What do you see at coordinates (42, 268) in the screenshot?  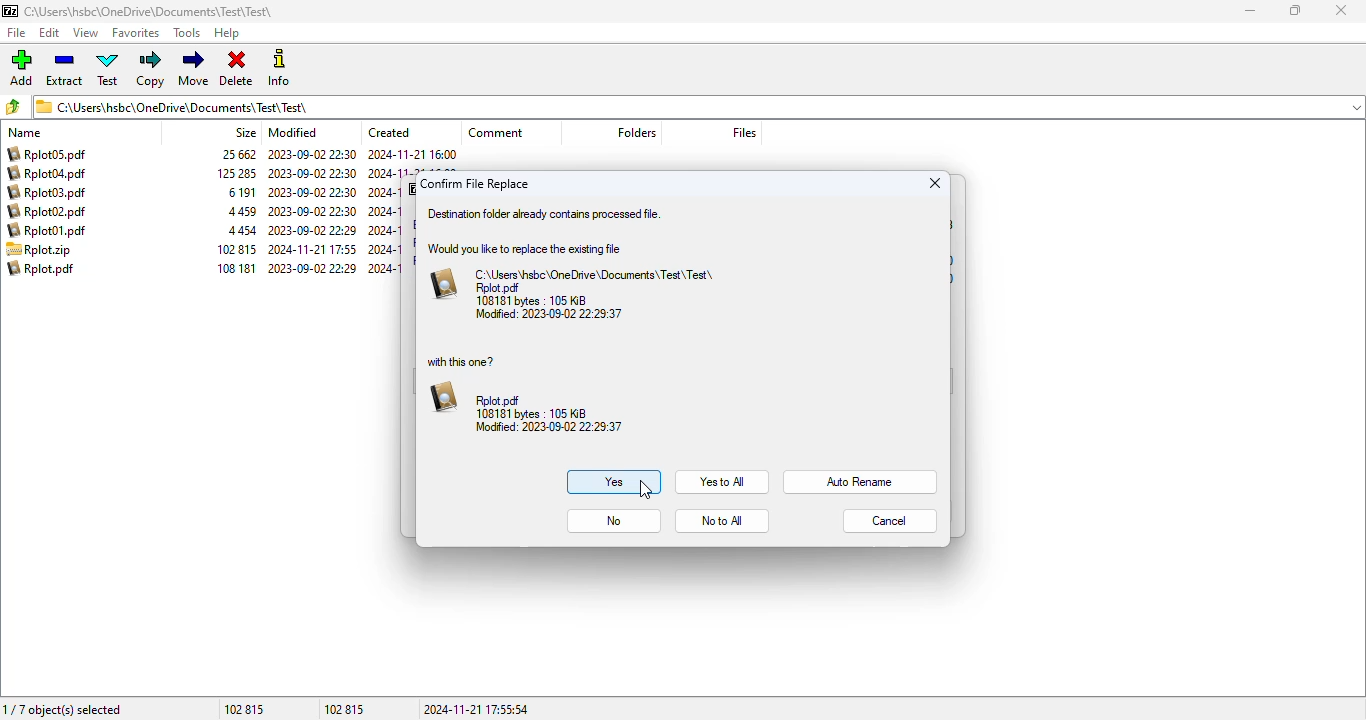 I see `Rplot.pdf` at bounding box center [42, 268].